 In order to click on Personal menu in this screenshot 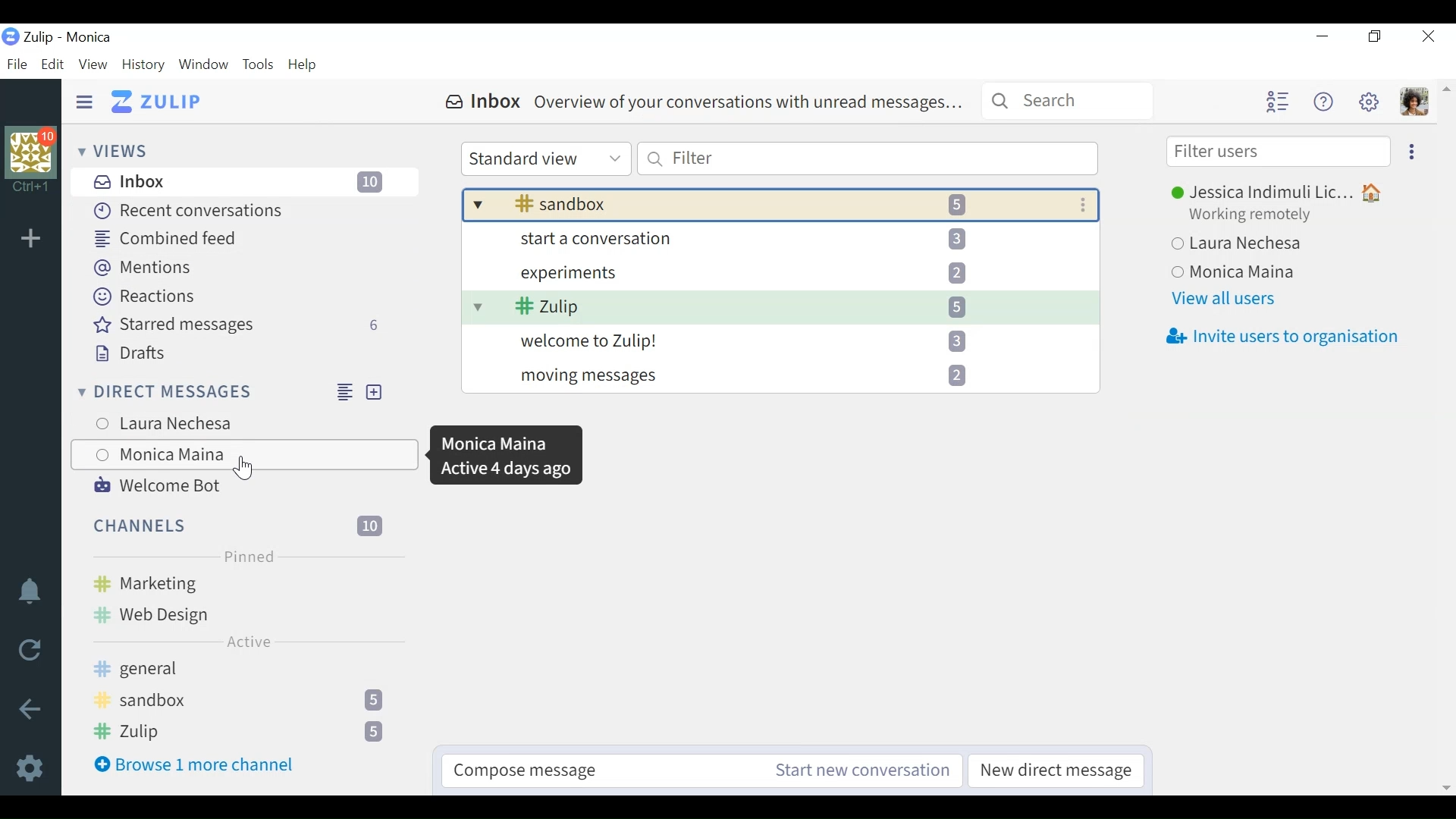, I will do `click(1413, 102)`.